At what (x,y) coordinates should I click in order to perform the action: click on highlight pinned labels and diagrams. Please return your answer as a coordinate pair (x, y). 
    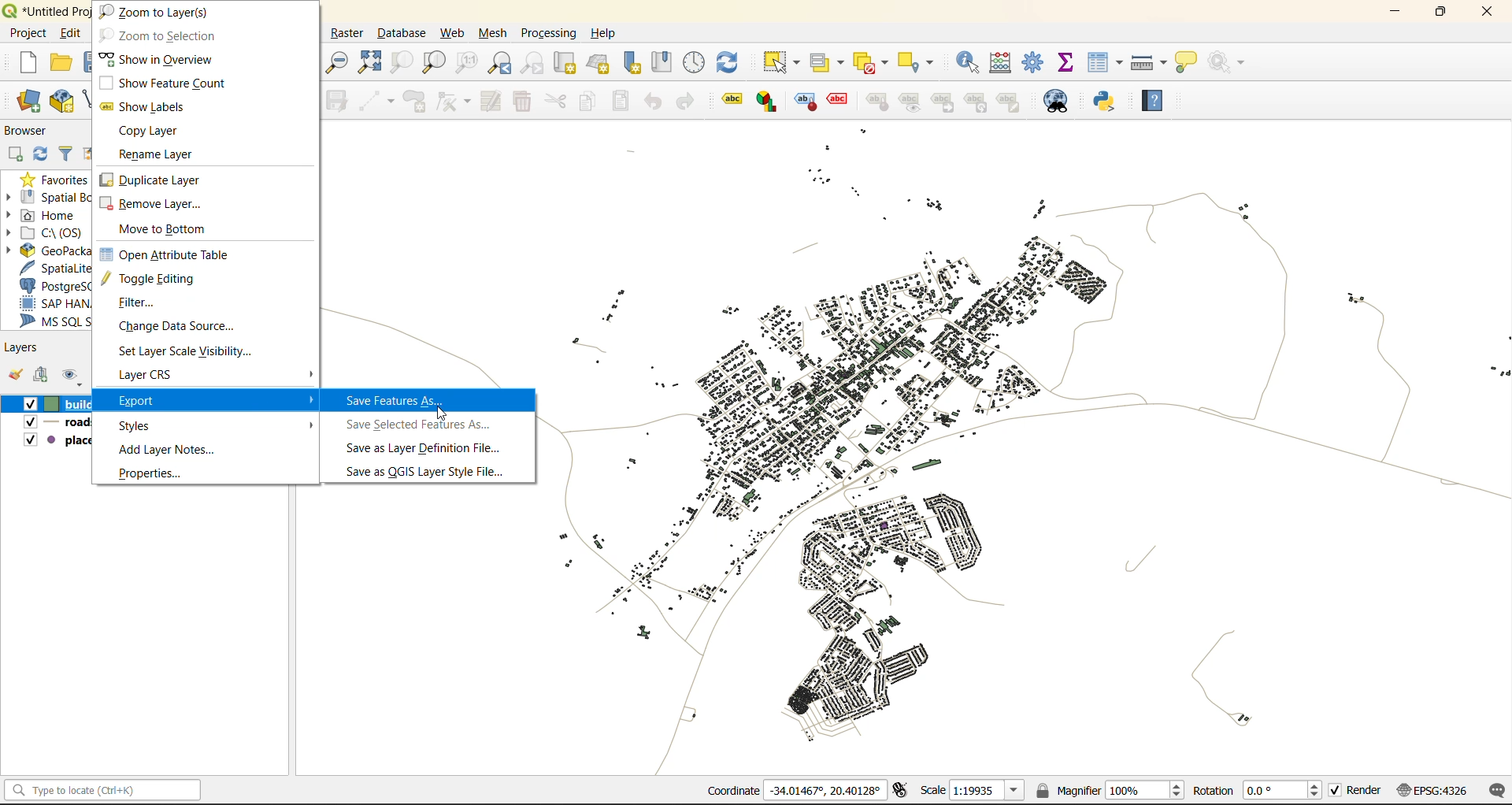
    Looking at the image, I should click on (805, 102).